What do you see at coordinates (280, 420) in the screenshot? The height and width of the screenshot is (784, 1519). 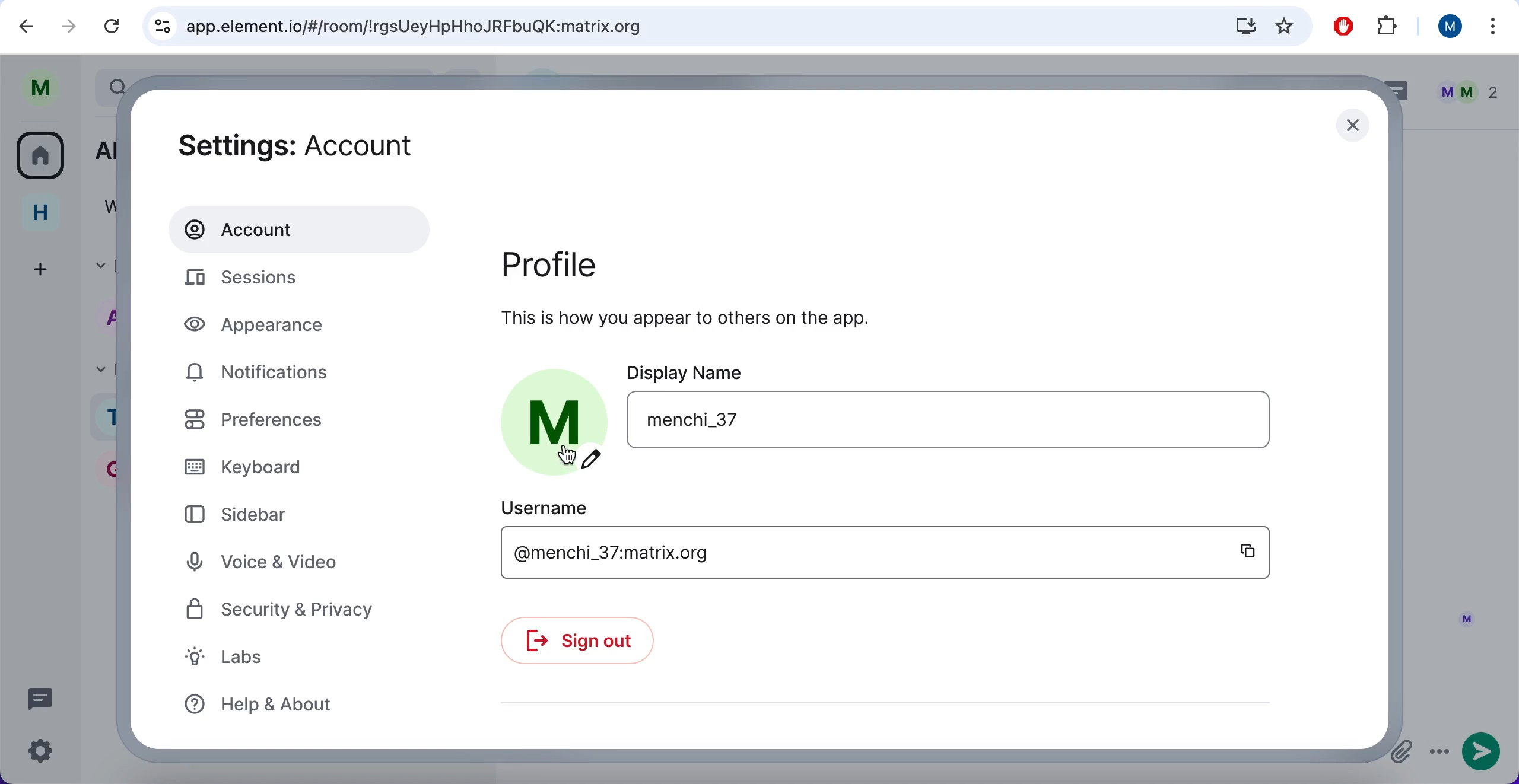 I see `preferences` at bounding box center [280, 420].